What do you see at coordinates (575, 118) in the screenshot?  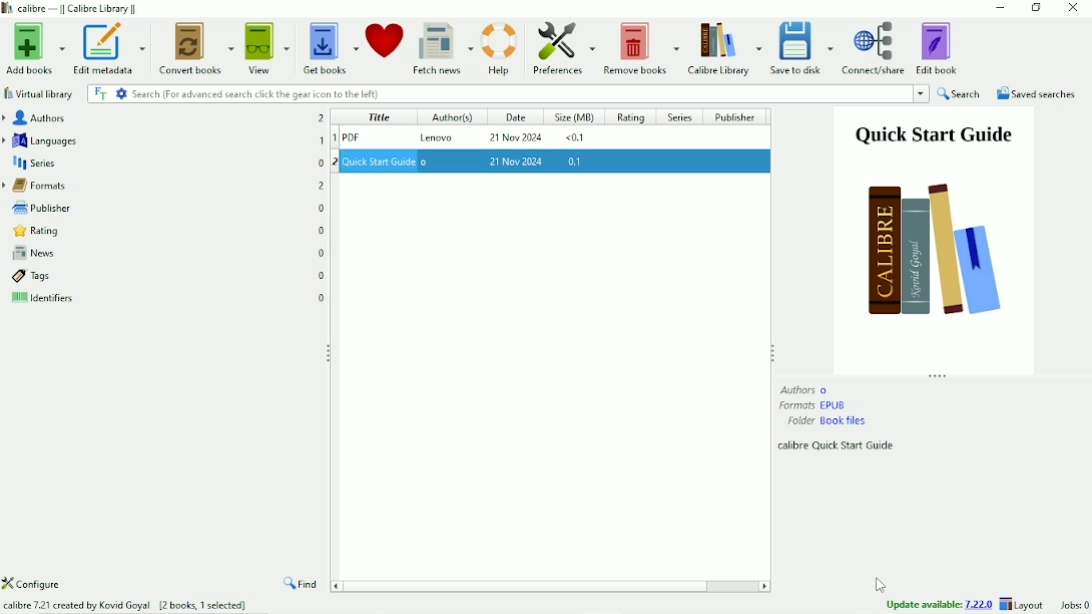 I see `Size` at bounding box center [575, 118].